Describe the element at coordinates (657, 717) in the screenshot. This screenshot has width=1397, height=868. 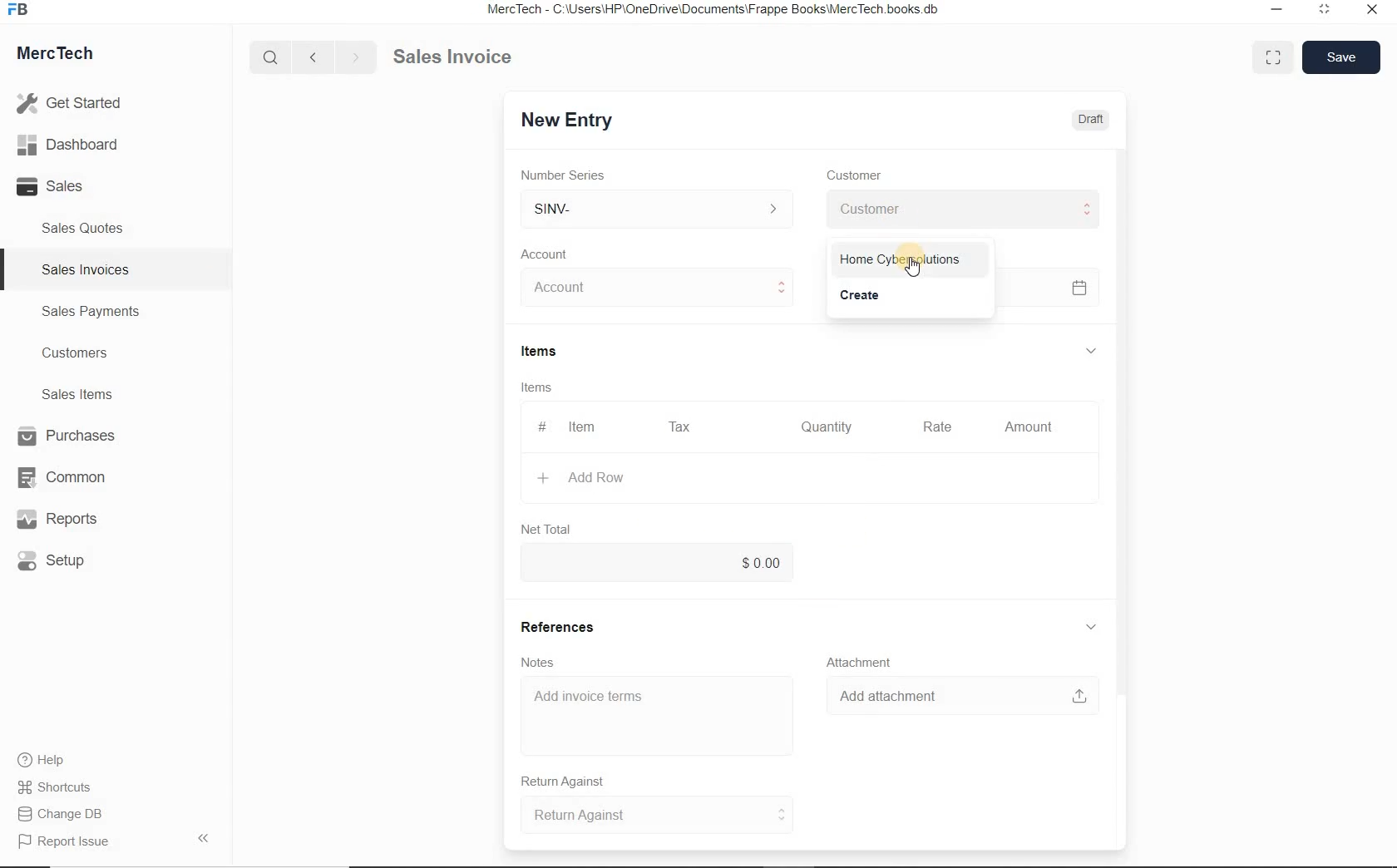
I see `Add invoice terms` at that location.